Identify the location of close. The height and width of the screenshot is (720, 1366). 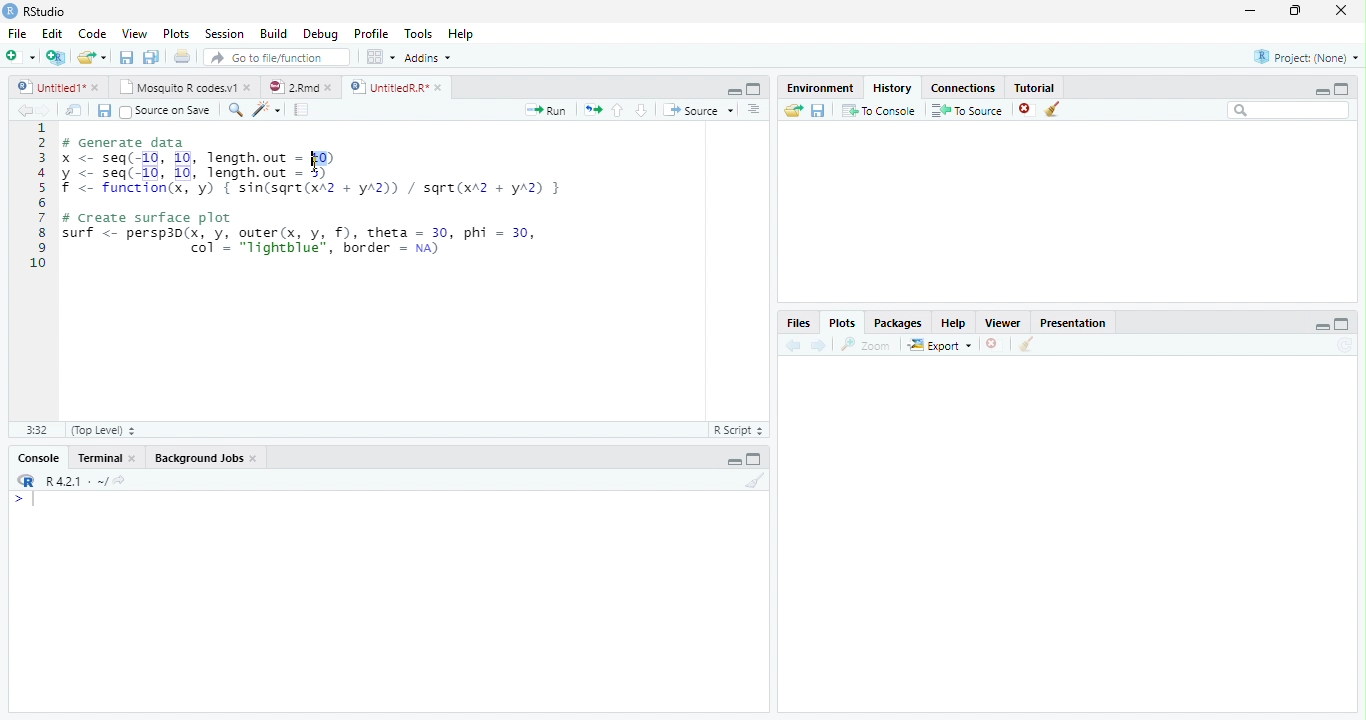
(329, 88).